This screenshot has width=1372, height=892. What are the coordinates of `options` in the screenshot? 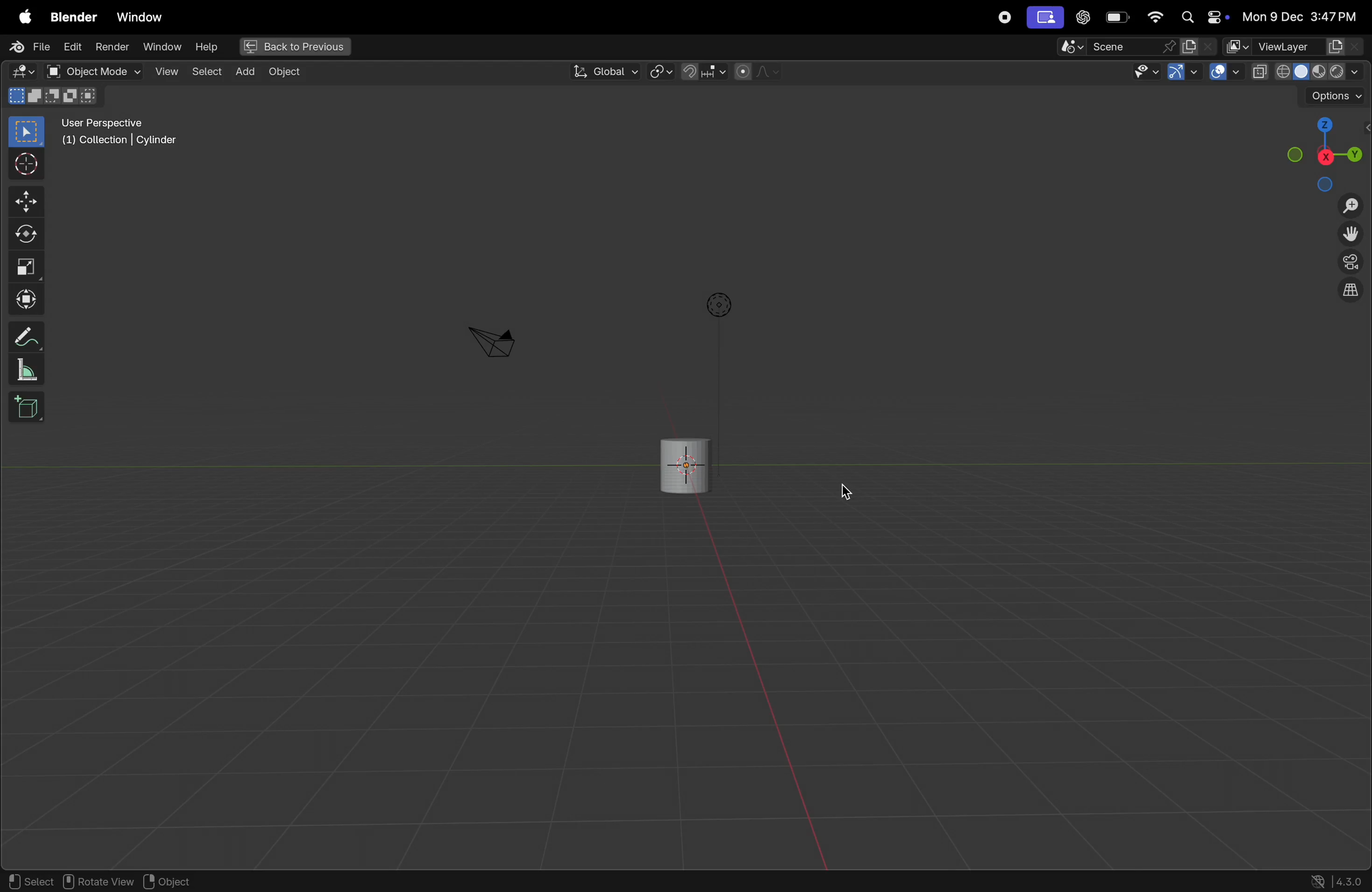 It's located at (717, 305).